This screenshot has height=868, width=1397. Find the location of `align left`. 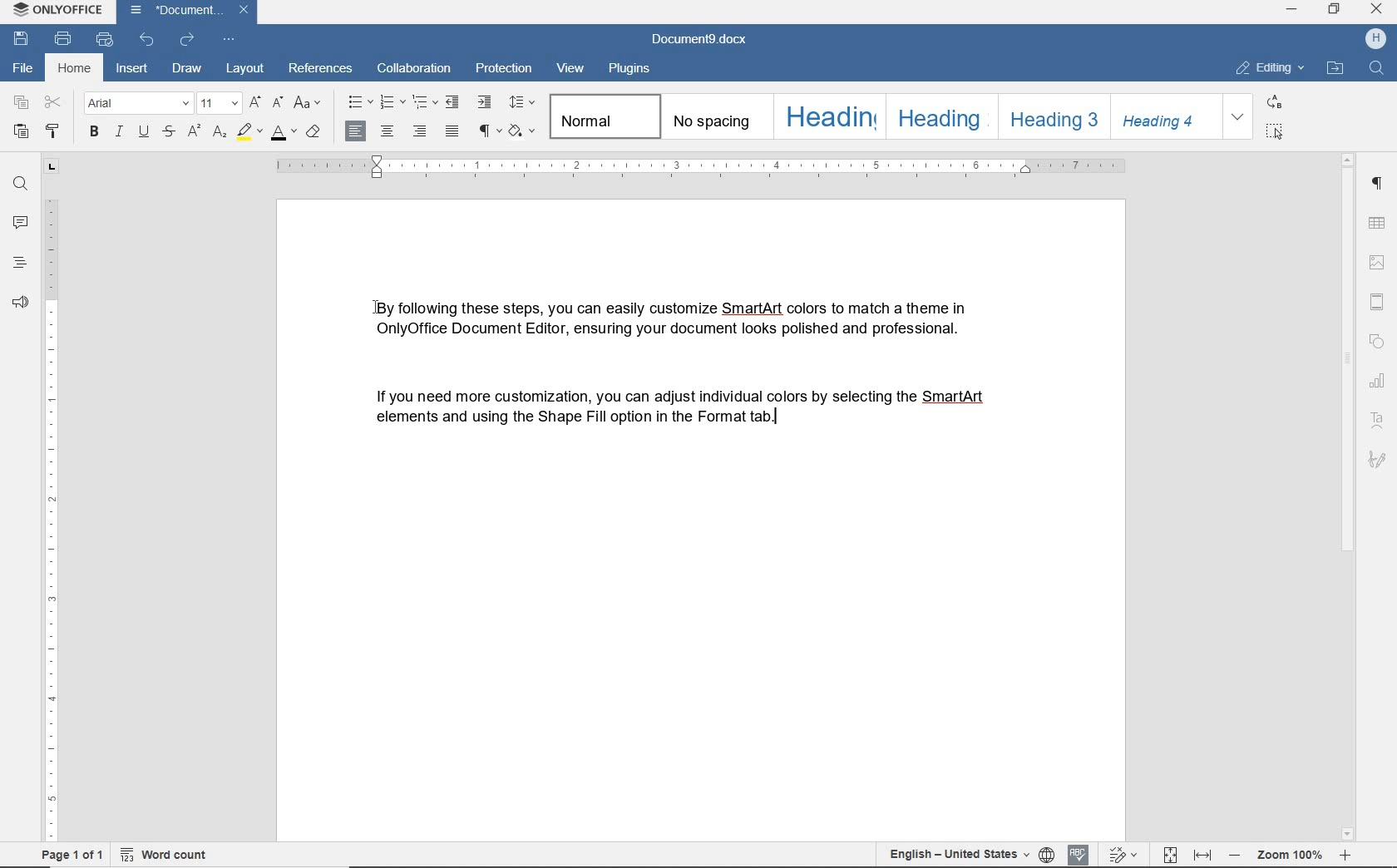

align left is located at coordinates (357, 130).